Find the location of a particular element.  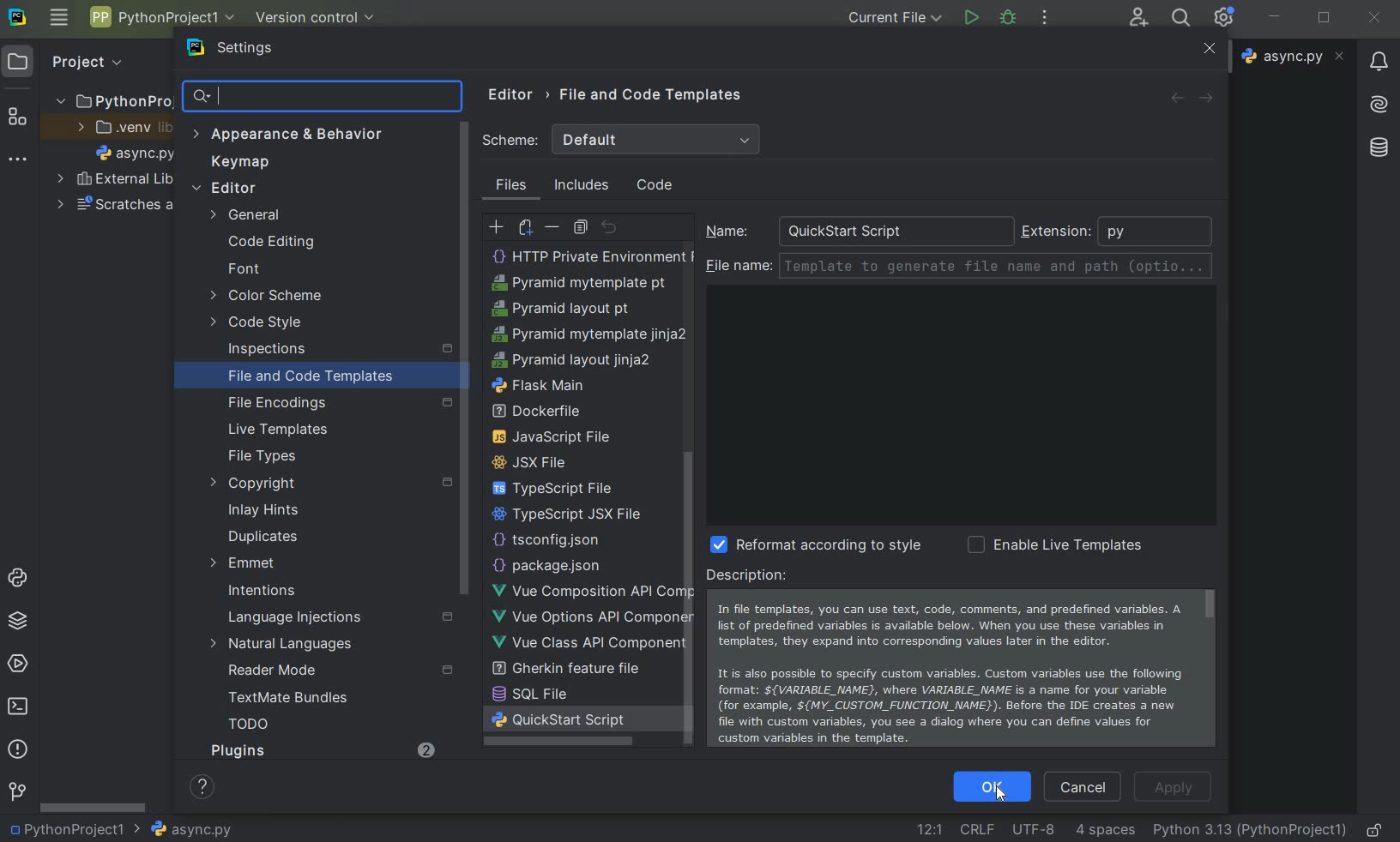

apply is located at coordinates (1173, 787).